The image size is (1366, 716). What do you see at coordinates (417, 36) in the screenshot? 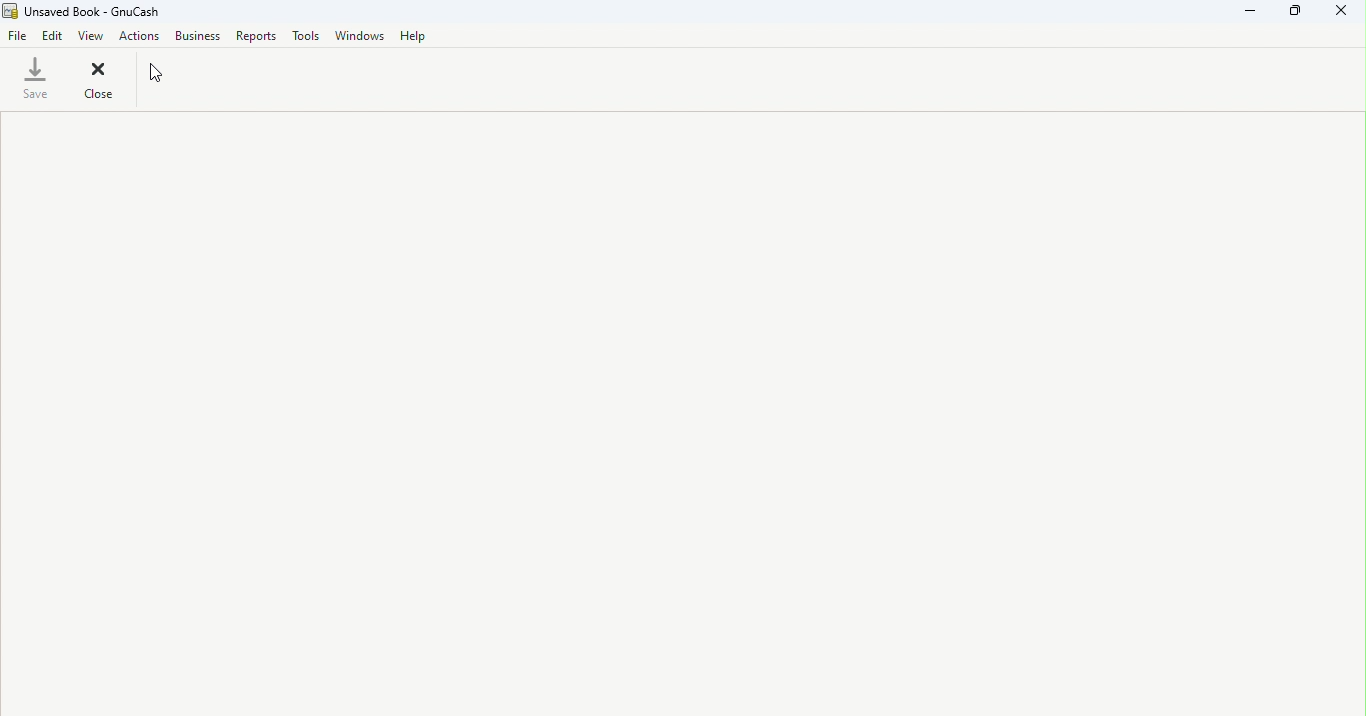
I see `help` at bounding box center [417, 36].